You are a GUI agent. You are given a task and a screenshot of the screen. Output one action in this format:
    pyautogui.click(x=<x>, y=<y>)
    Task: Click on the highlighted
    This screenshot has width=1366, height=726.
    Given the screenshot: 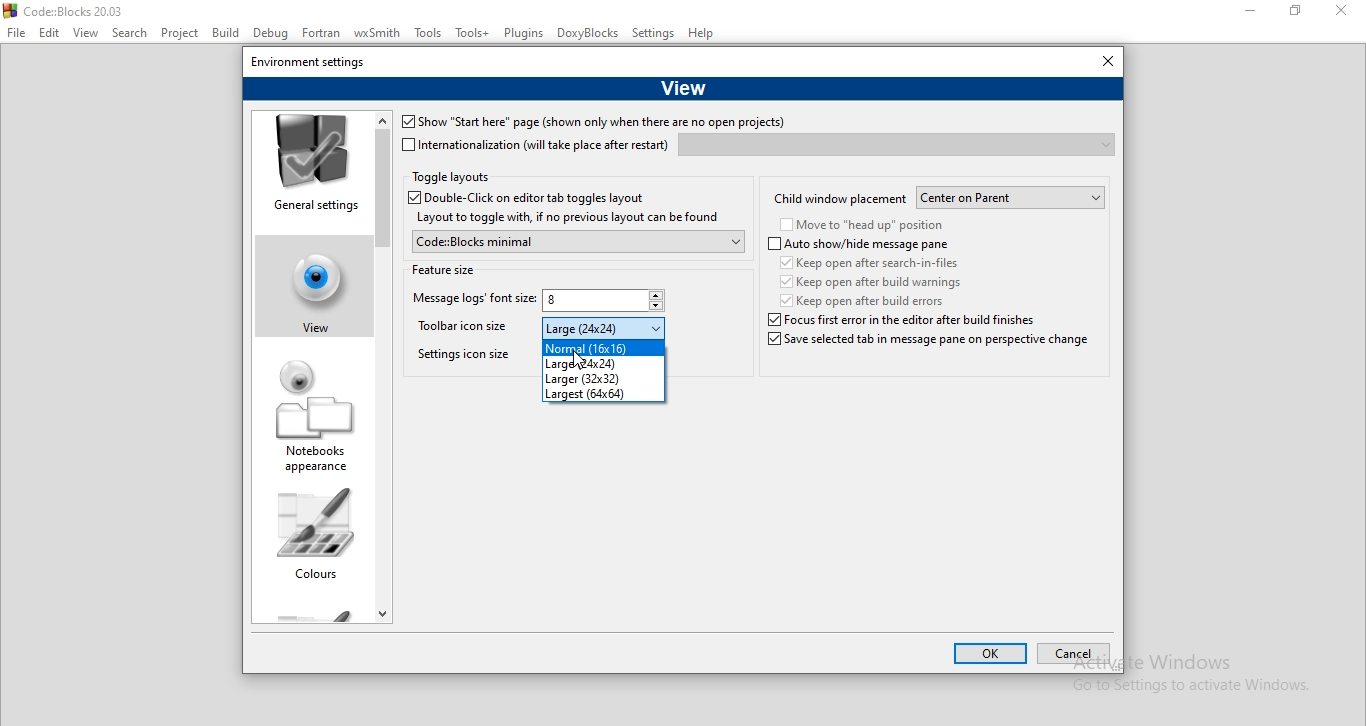 What is the action you would take?
    pyautogui.click(x=308, y=282)
    